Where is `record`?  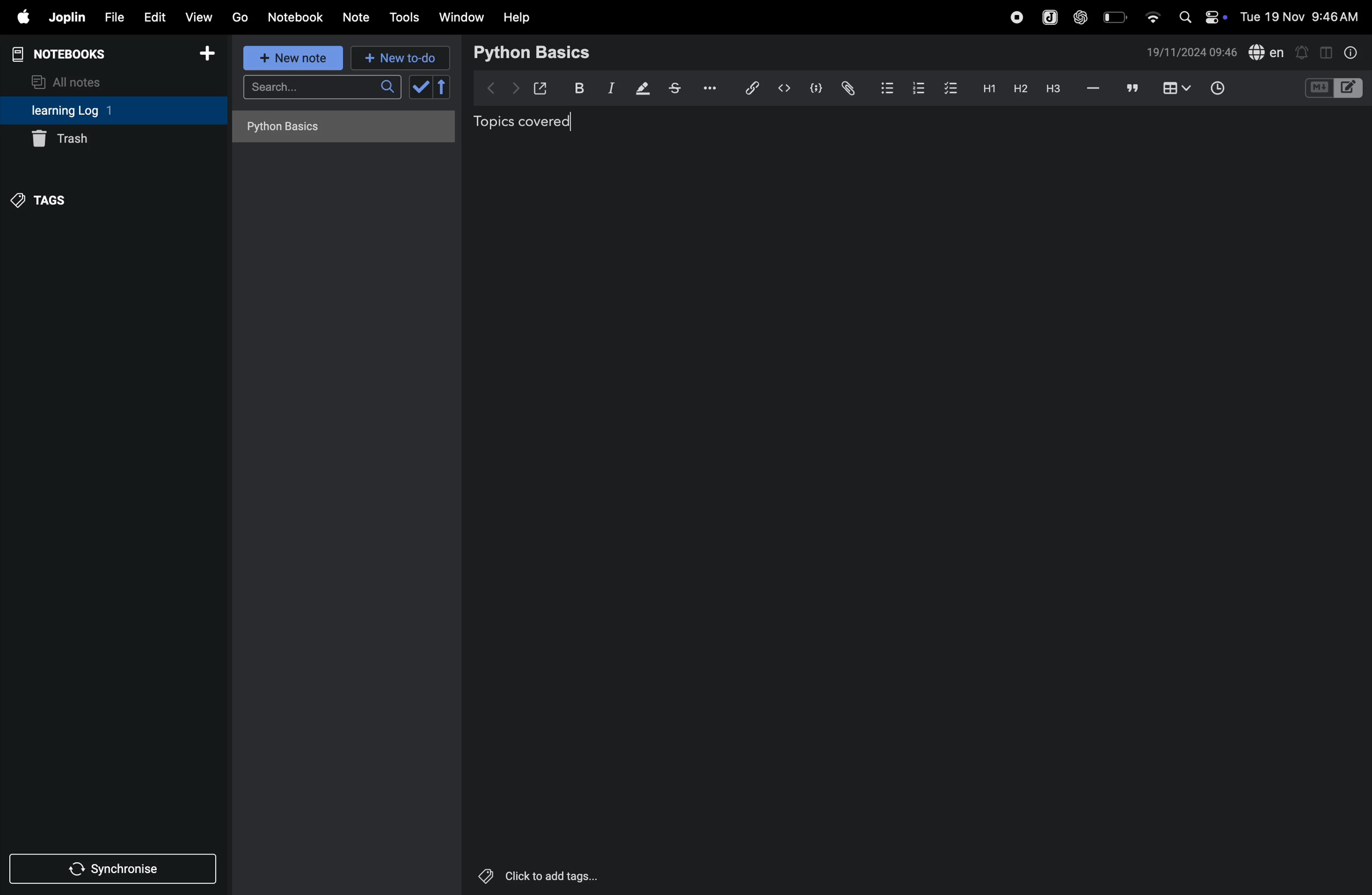
record is located at coordinates (1016, 16).